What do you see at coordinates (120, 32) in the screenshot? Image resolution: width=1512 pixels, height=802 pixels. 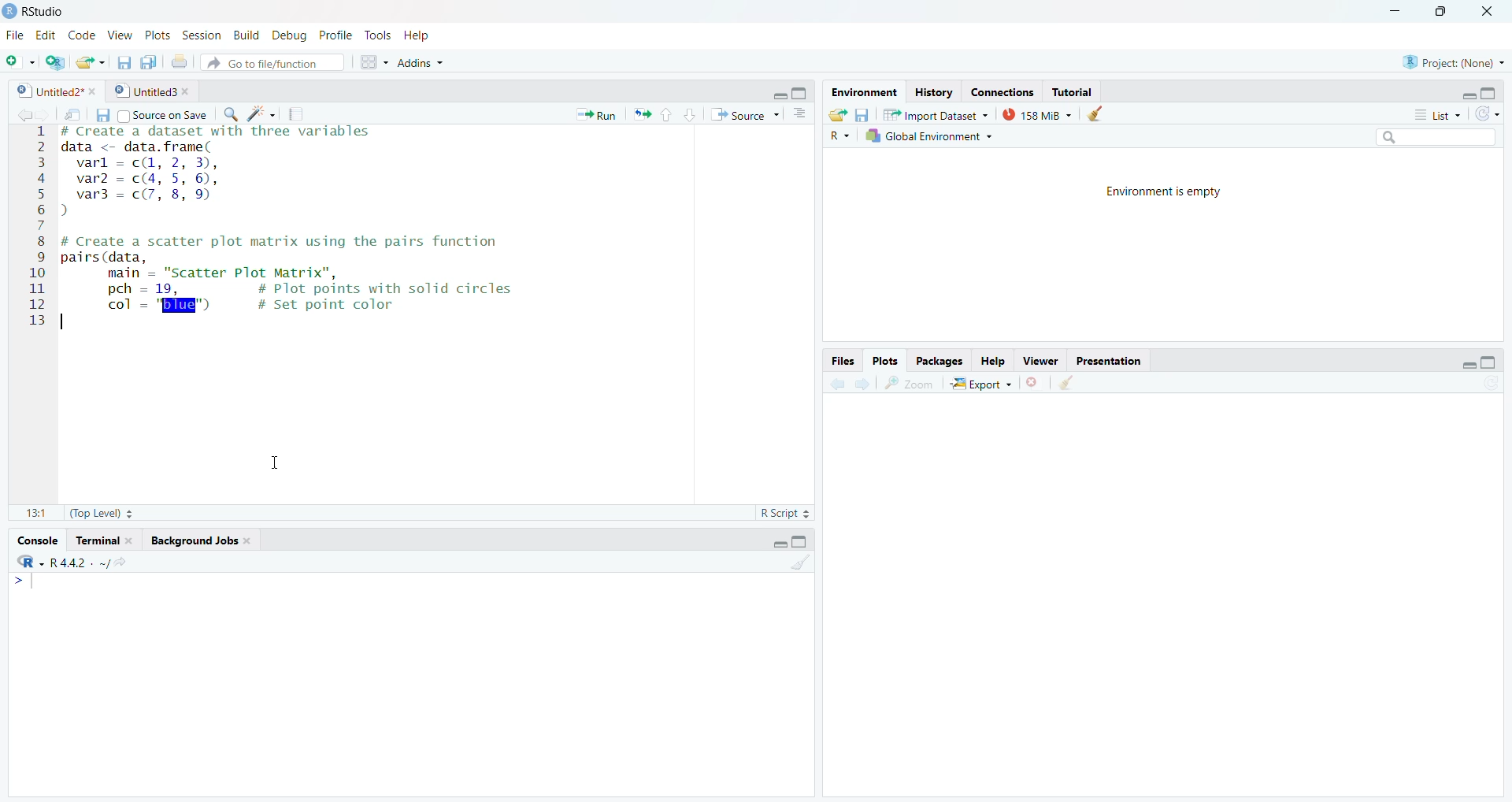 I see `View` at bounding box center [120, 32].